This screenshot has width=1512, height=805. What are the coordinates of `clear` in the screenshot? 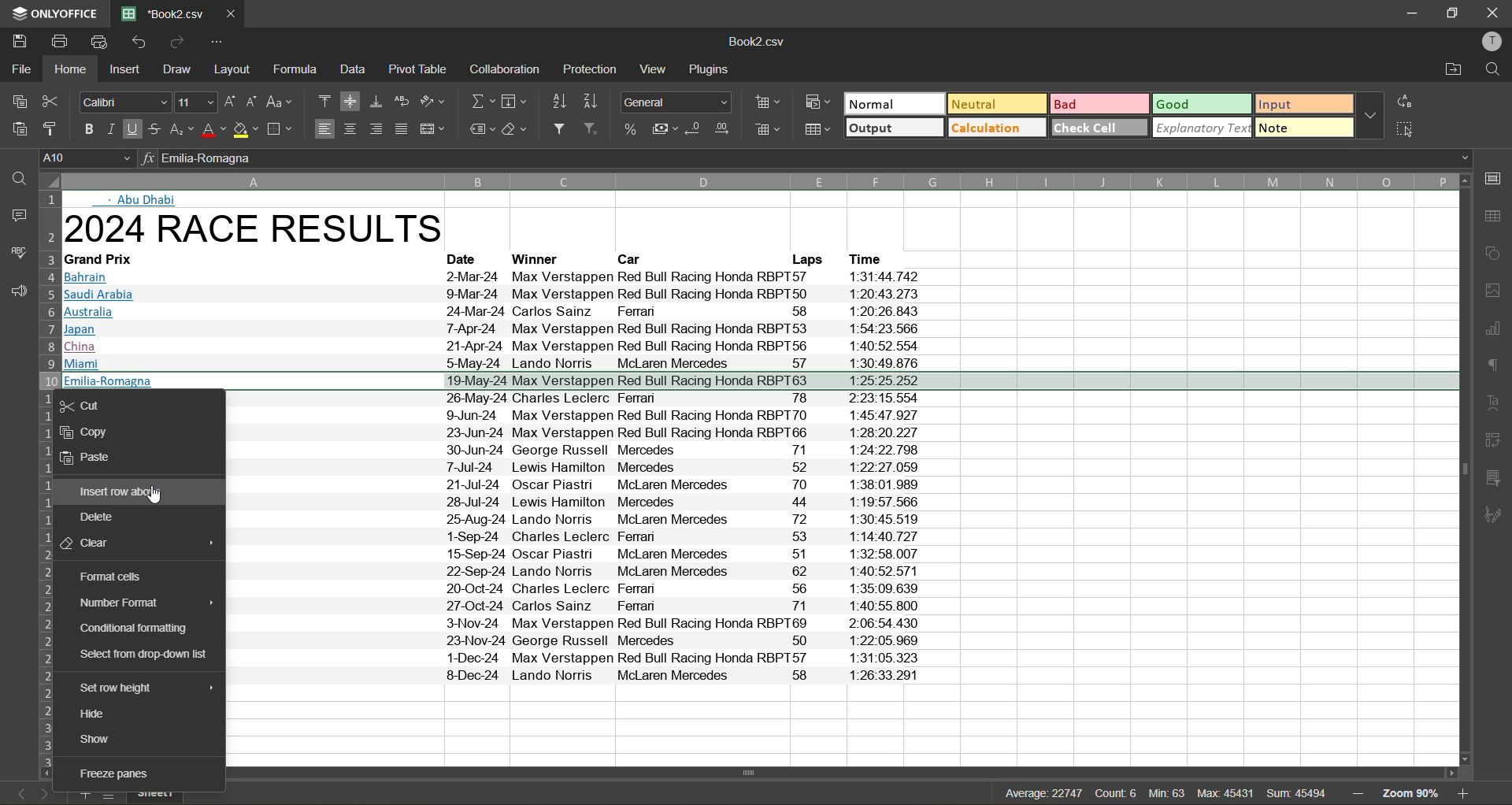 It's located at (516, 130).